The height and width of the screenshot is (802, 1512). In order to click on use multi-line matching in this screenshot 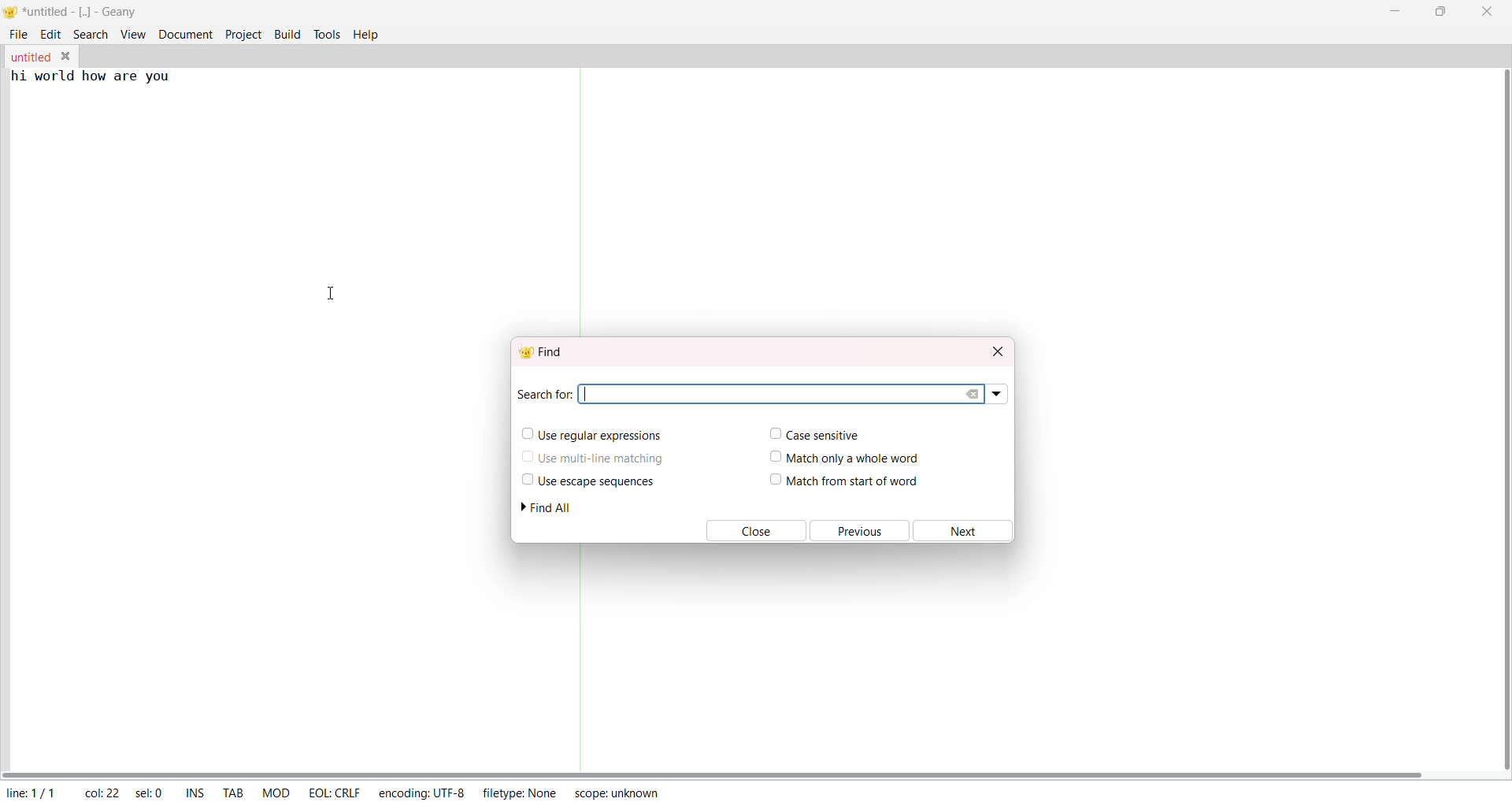, I will do `click(606, 459)`.